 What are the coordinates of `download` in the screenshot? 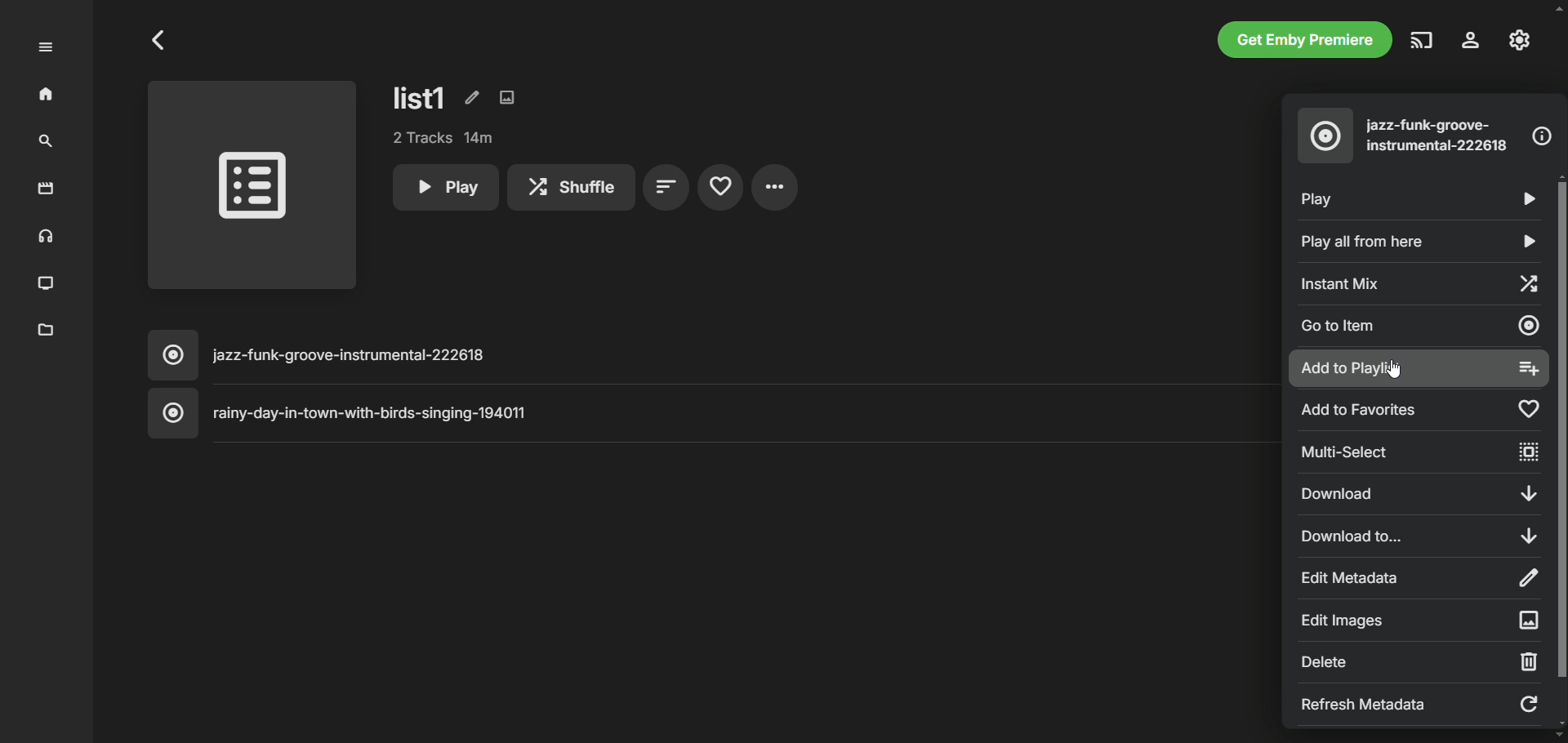 It's located at (1423, 493).